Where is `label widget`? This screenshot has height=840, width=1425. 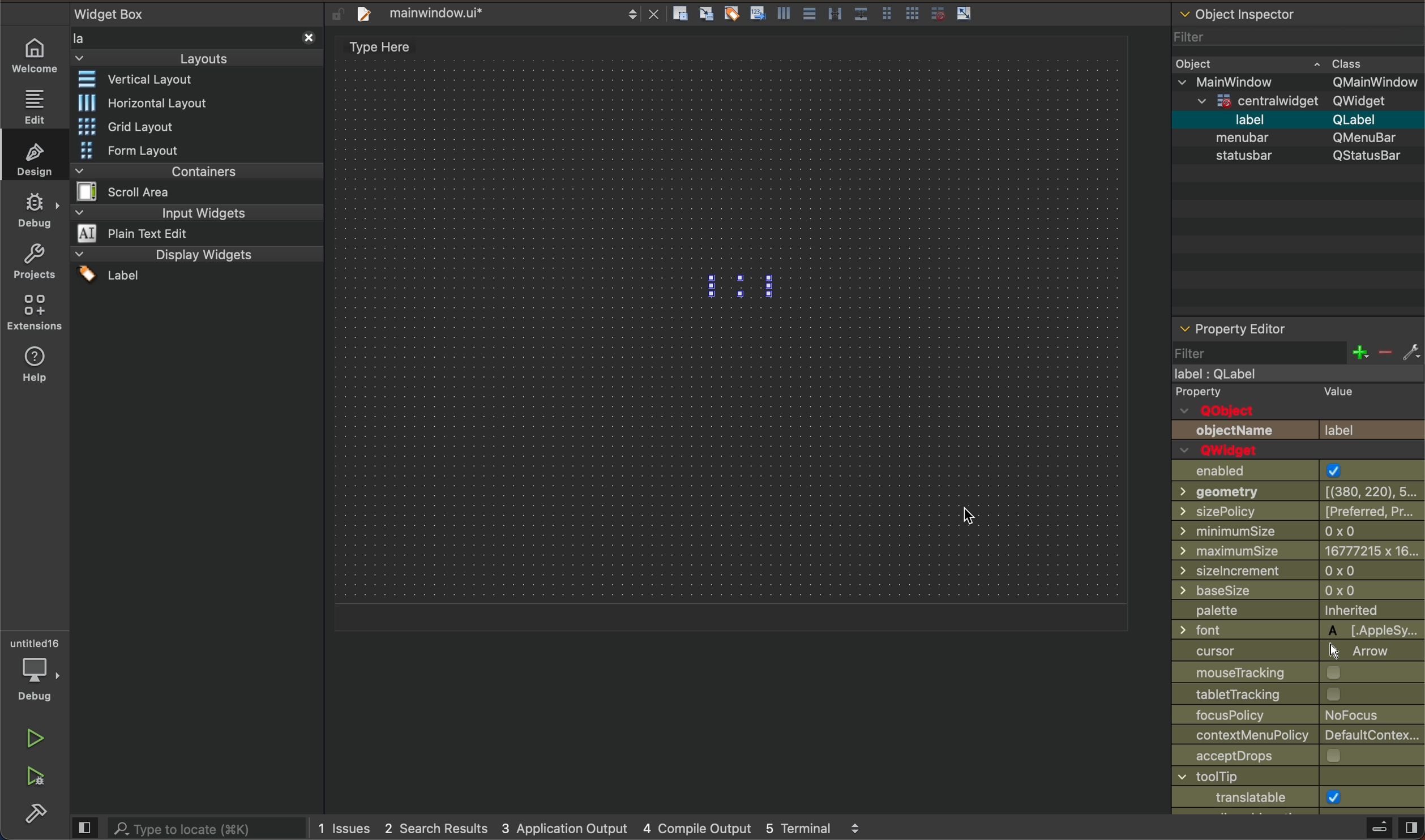
label widget is located at coordinates (751, 284).